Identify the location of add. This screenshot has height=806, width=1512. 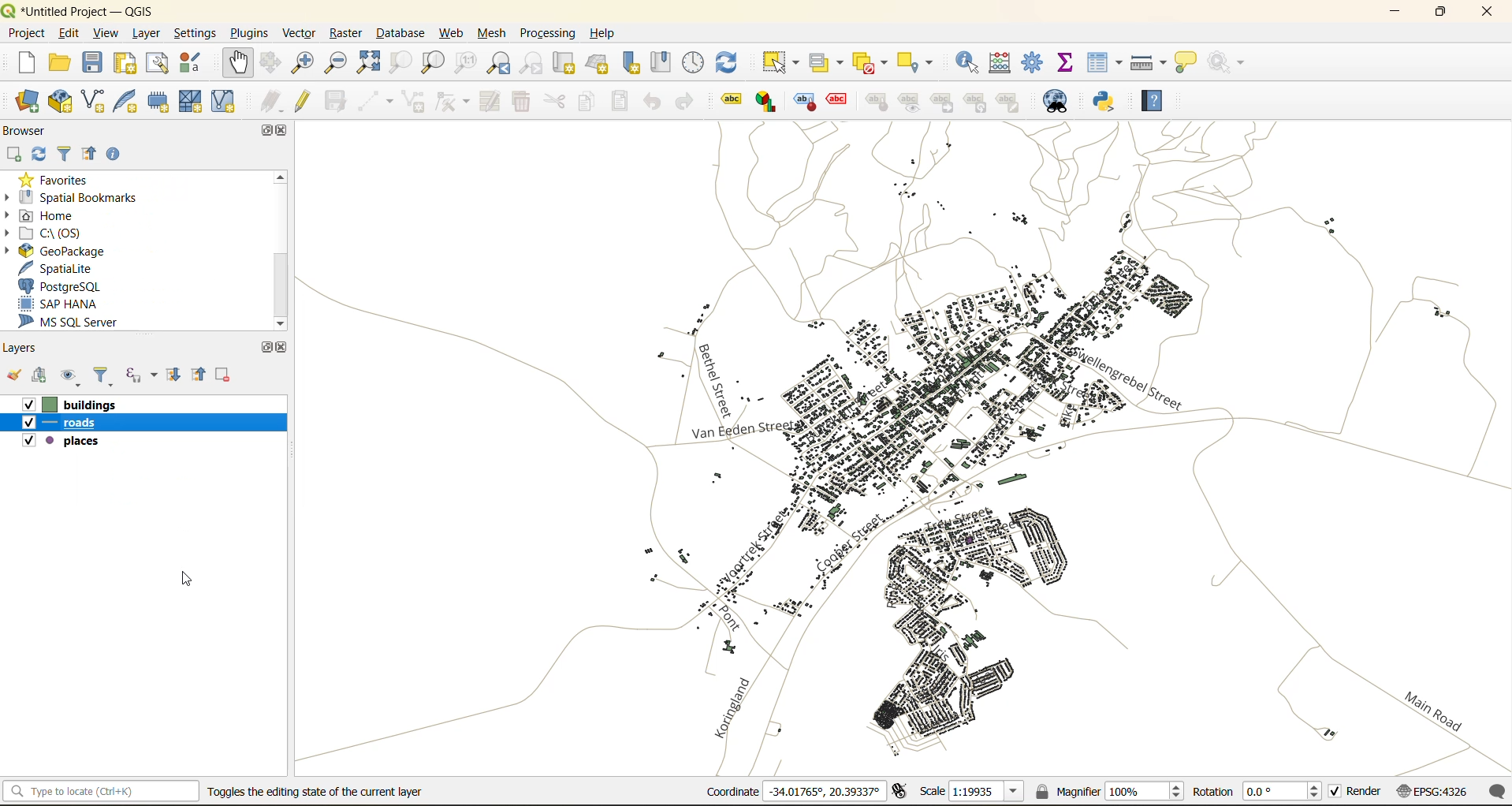
(12, 155).